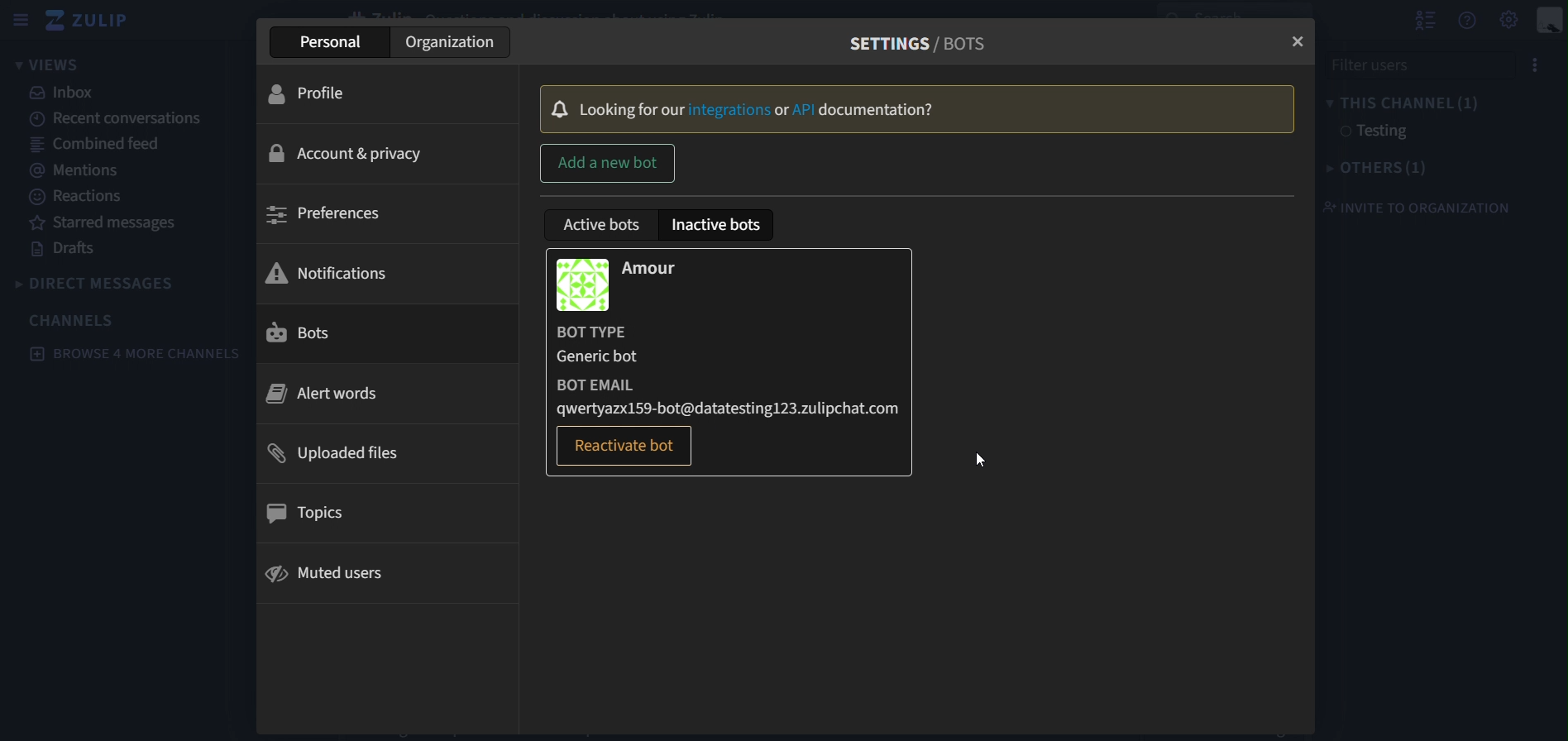  Describe the element at coordinates (979, 461) in the screenshot. I see `Cursor` at that location.